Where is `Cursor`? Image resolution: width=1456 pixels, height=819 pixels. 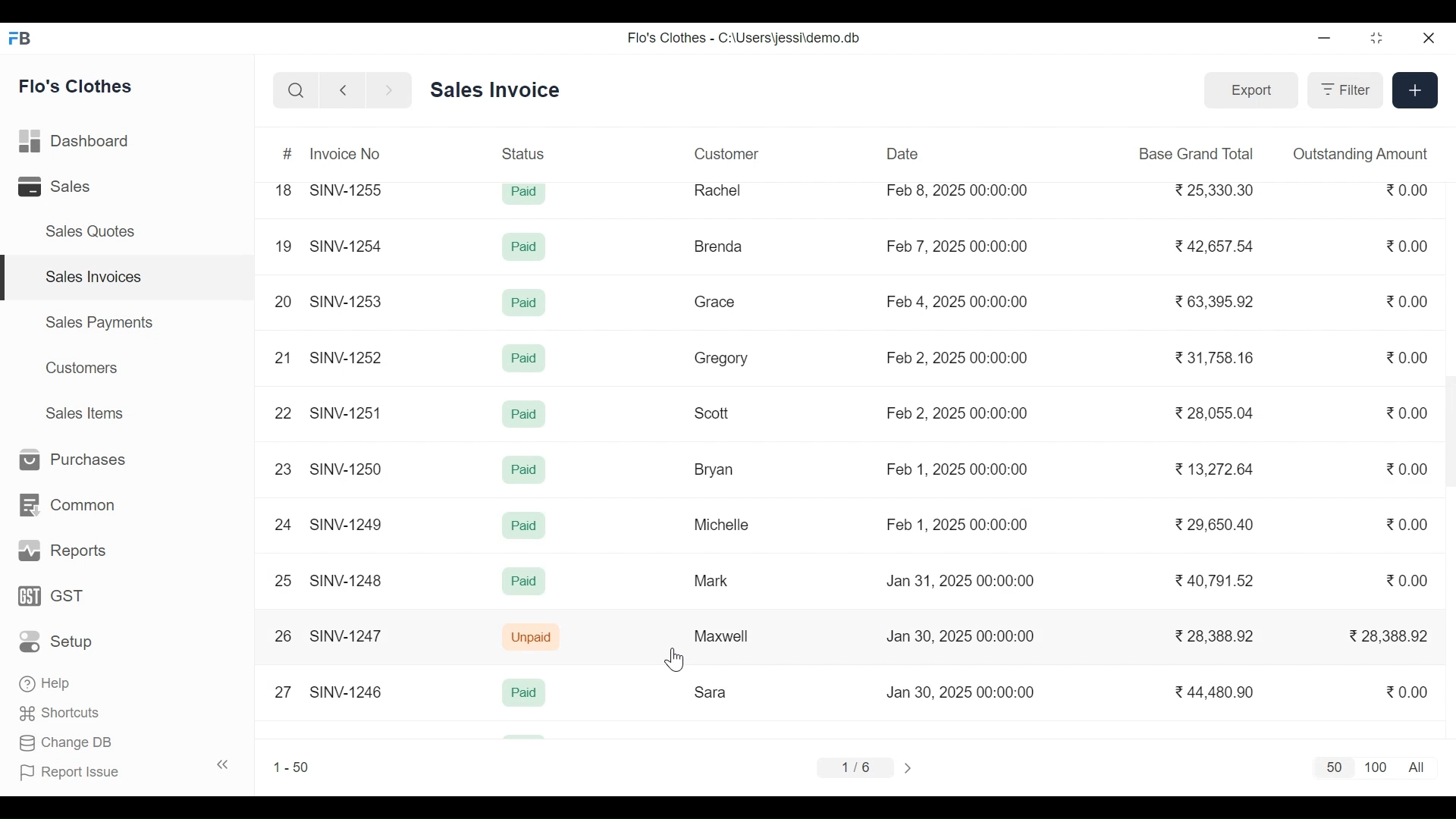
Cursor is located at coordinates (672, 661).